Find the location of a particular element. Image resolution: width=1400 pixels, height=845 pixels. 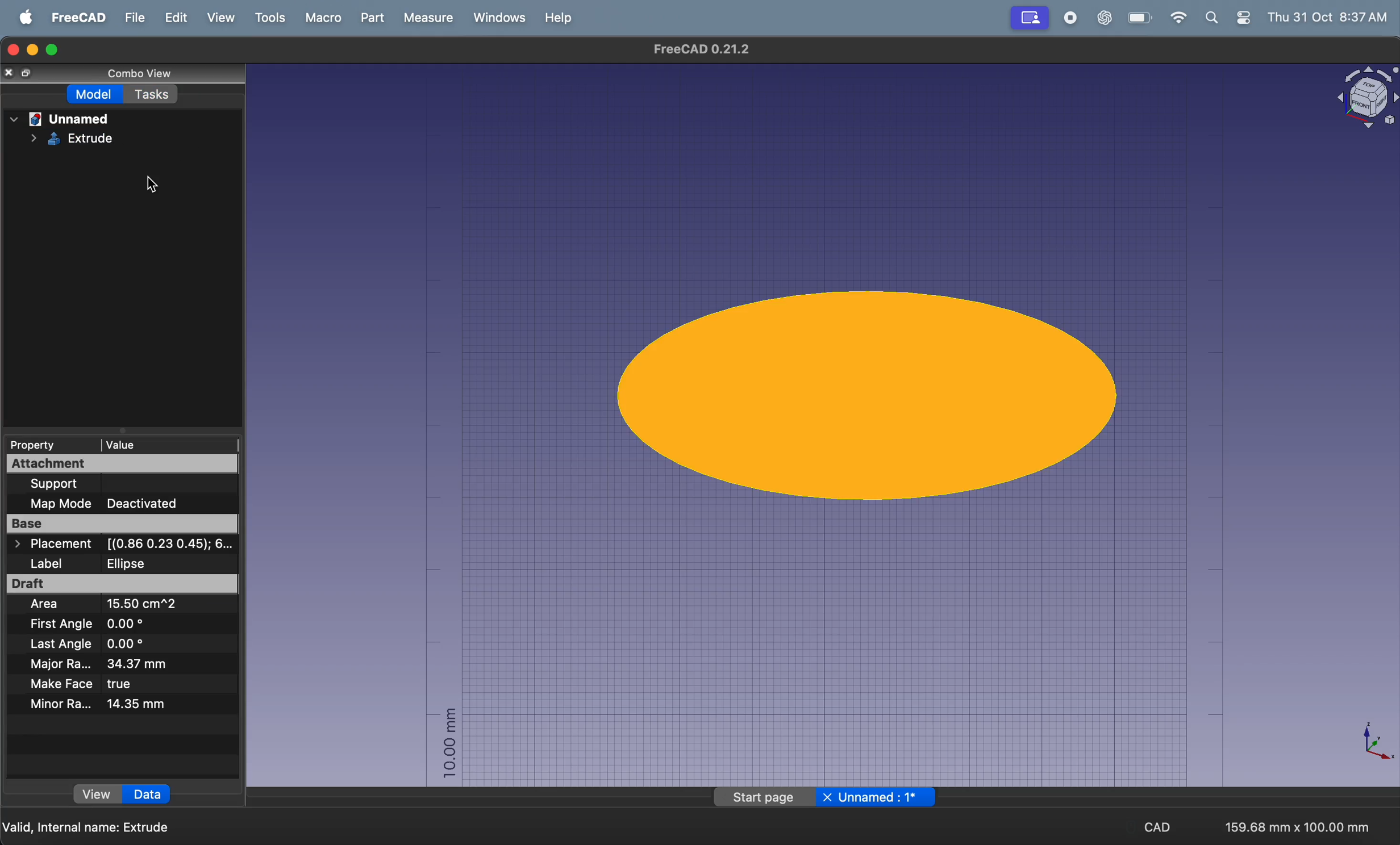

wifi is located at coordinates (1176, 18).